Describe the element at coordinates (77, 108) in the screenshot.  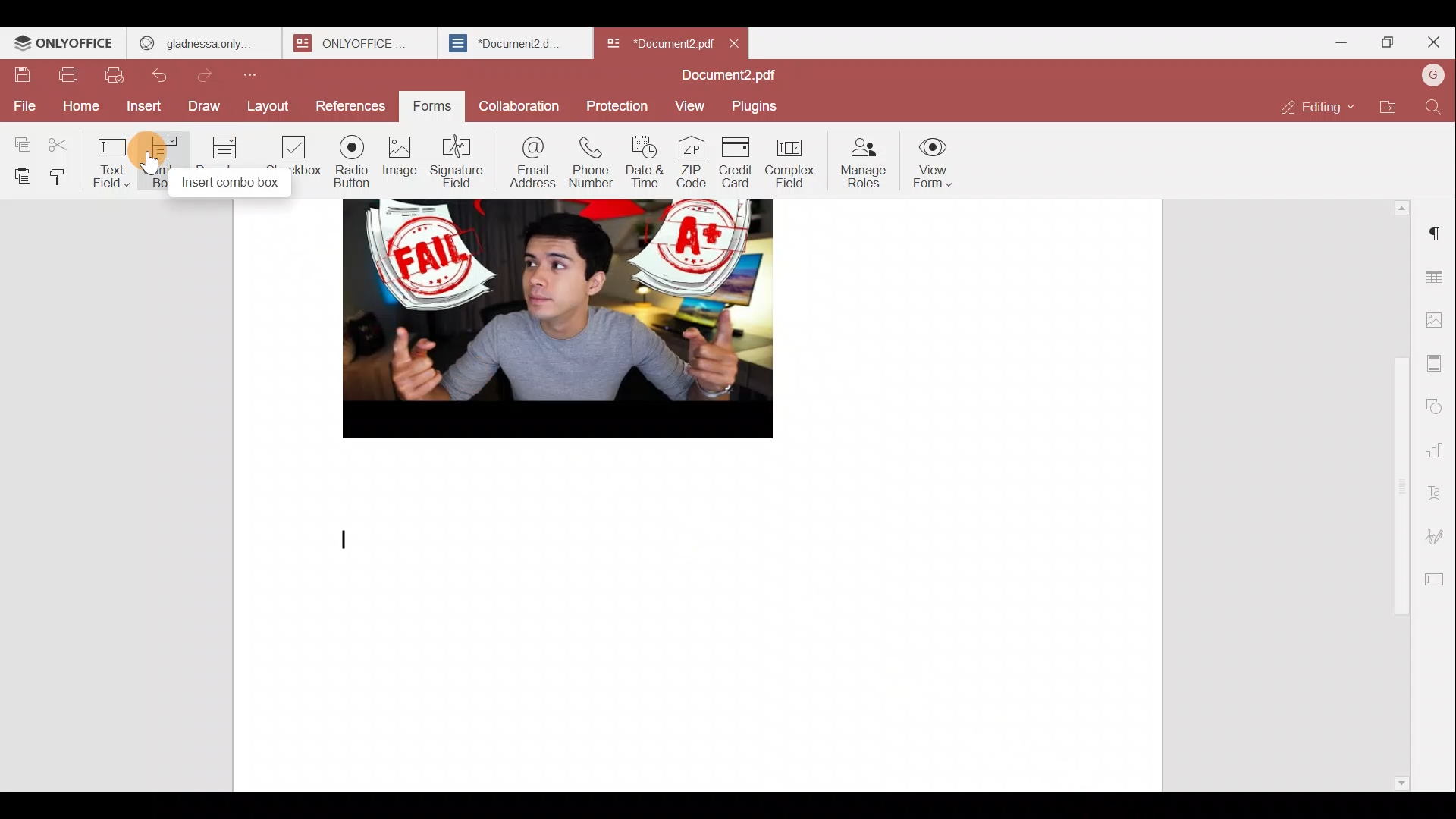
I see `Home` at that location.